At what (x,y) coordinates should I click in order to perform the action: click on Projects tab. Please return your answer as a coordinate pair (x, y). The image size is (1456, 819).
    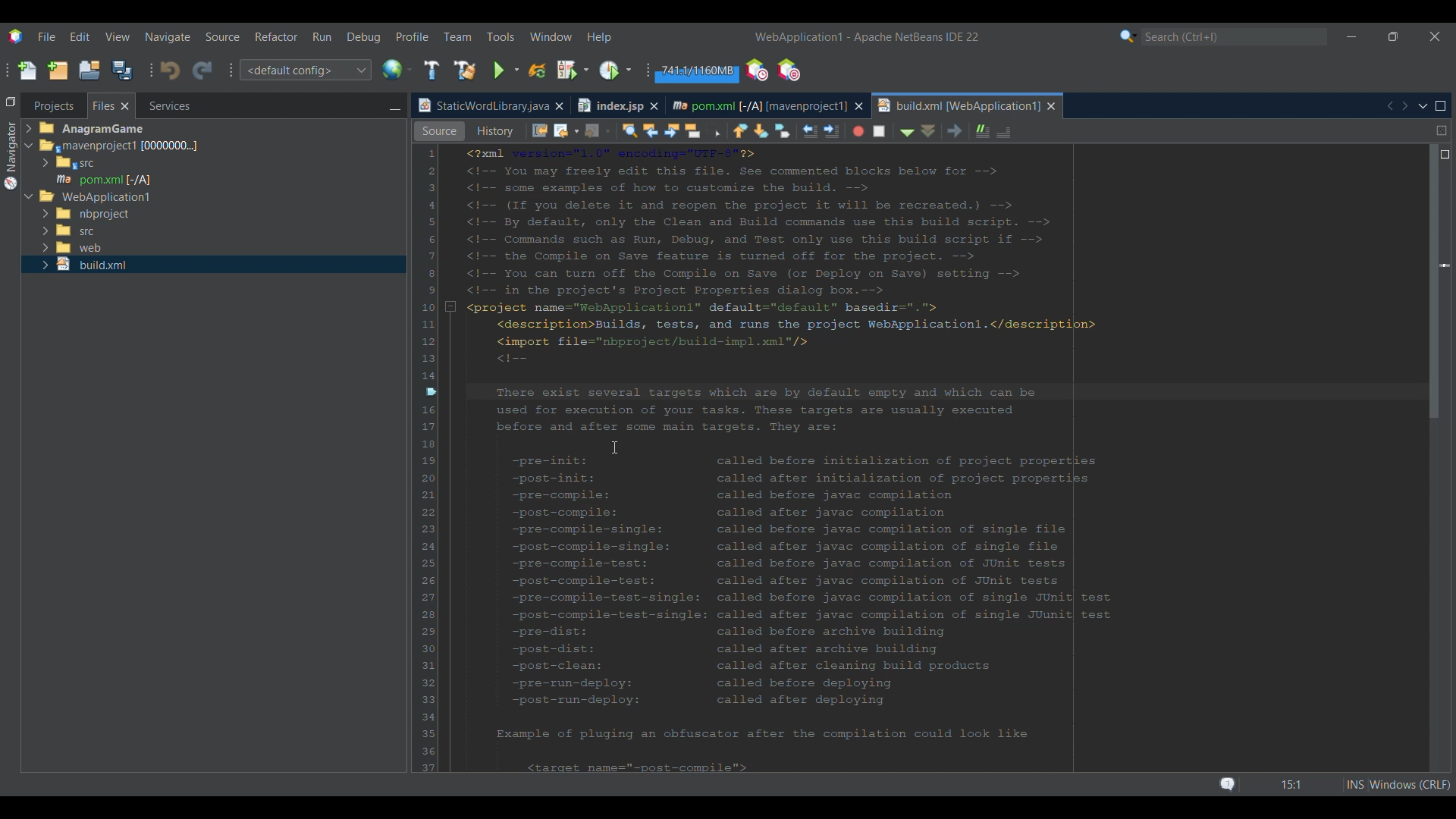
    Looking at the image, I should click on (53, 105).